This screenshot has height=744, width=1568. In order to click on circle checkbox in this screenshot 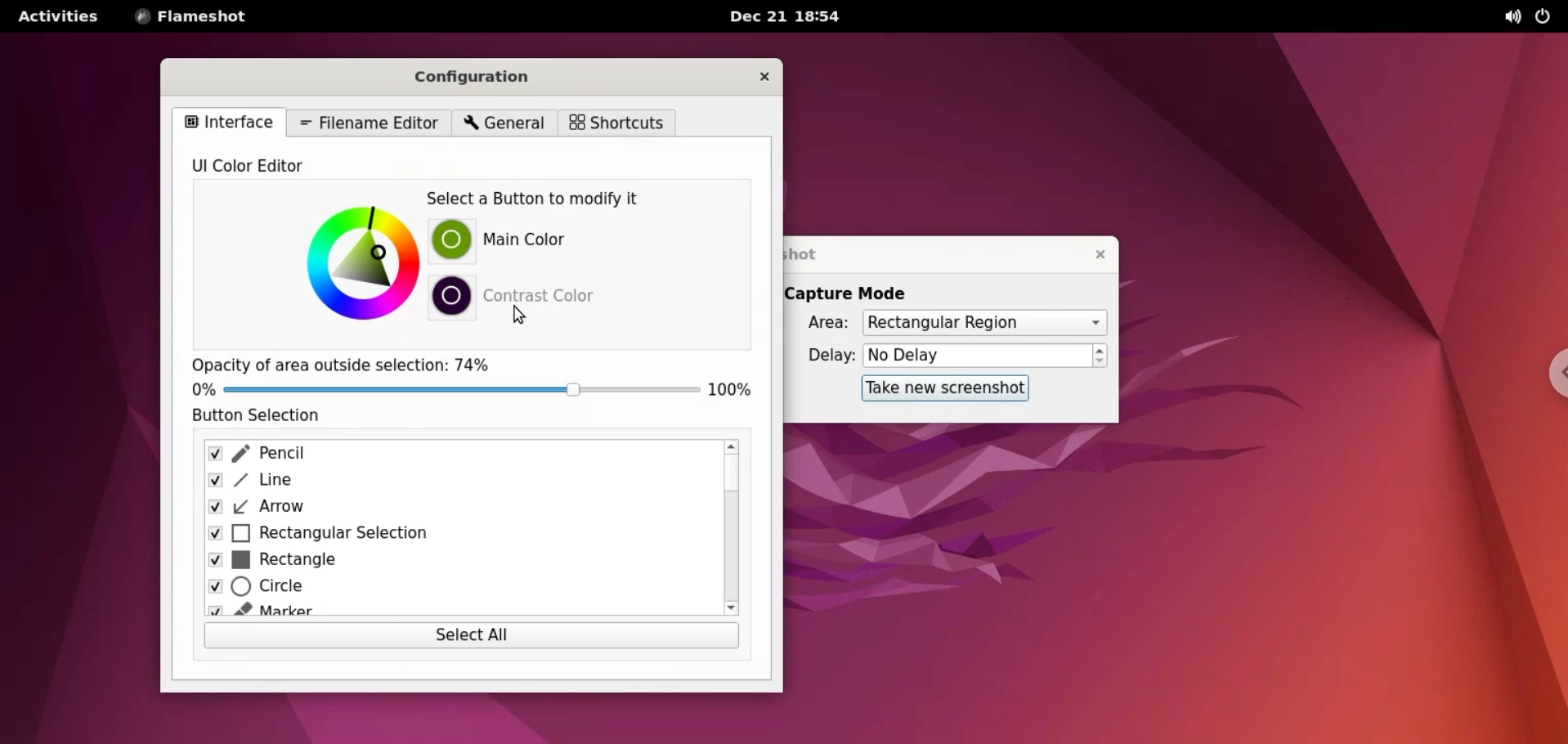, I will do `click(450, 589)`.